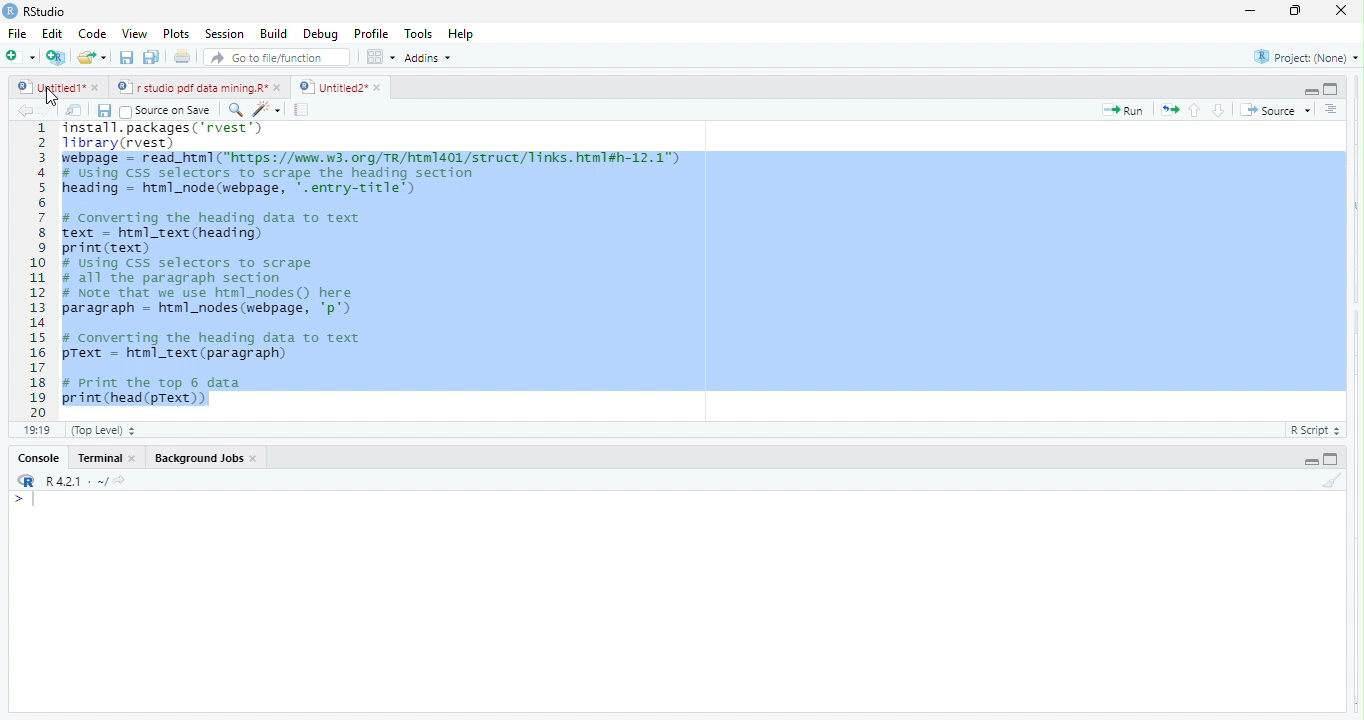  Describe the element at coordinates (1292, 13) in the screenshot. I see `minimize` at that location.